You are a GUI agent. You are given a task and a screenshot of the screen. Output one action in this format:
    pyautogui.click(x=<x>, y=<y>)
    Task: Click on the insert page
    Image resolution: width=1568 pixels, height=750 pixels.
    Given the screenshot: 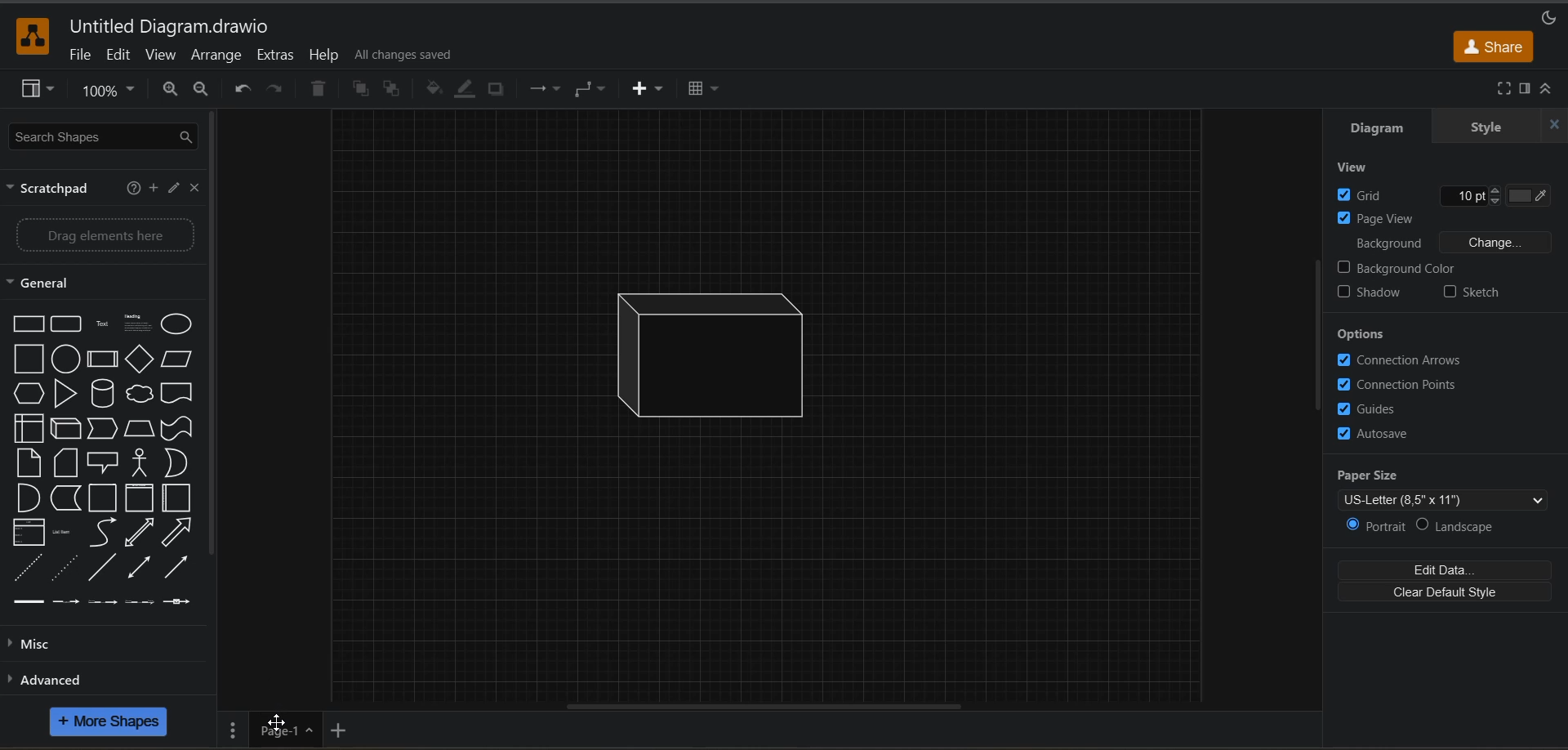 What is the action you would take?
    pyautogui.click(x=343, y=728)
    